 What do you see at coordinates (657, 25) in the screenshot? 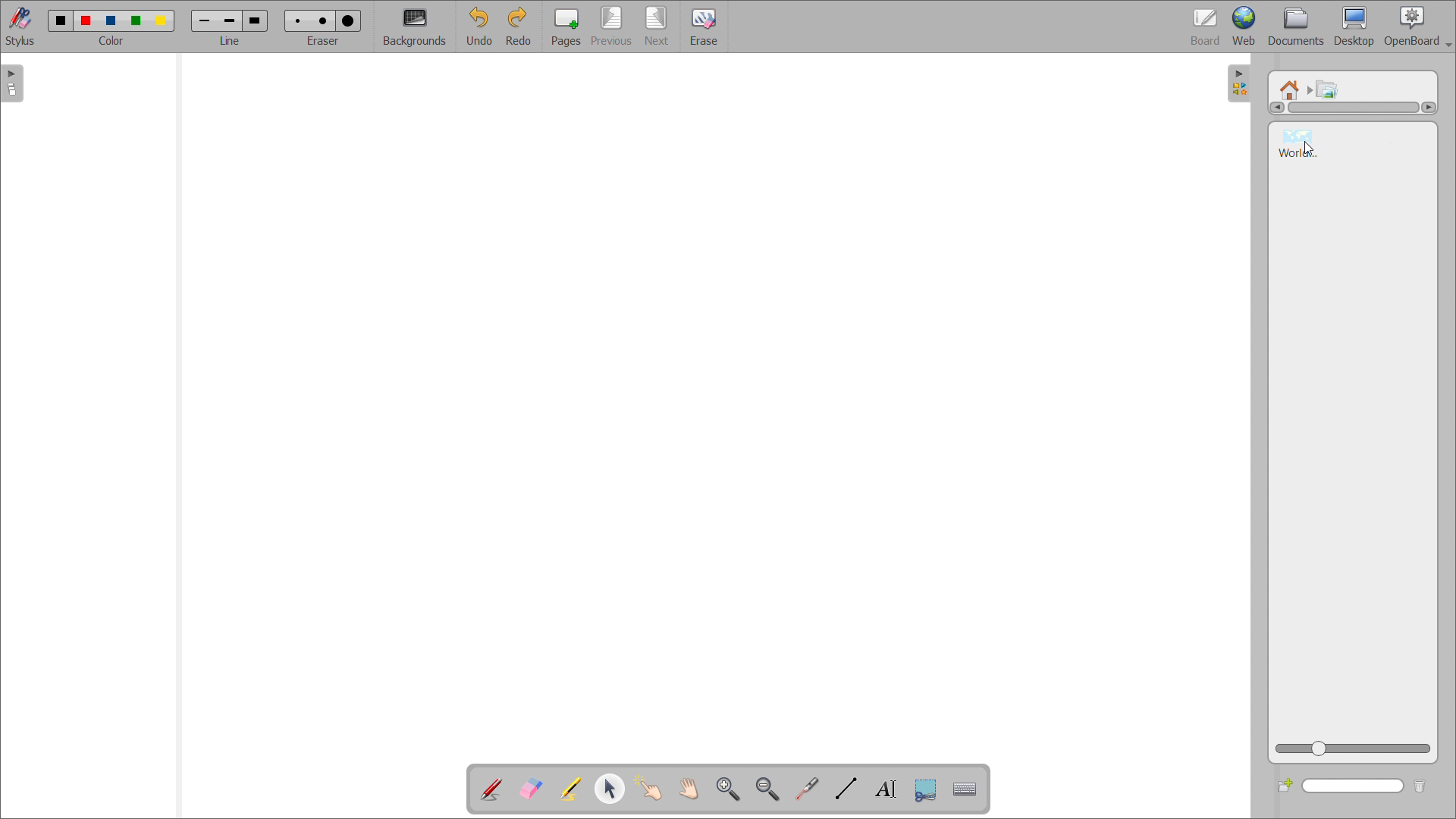
I see `next page` at bounding box center [657, 25].